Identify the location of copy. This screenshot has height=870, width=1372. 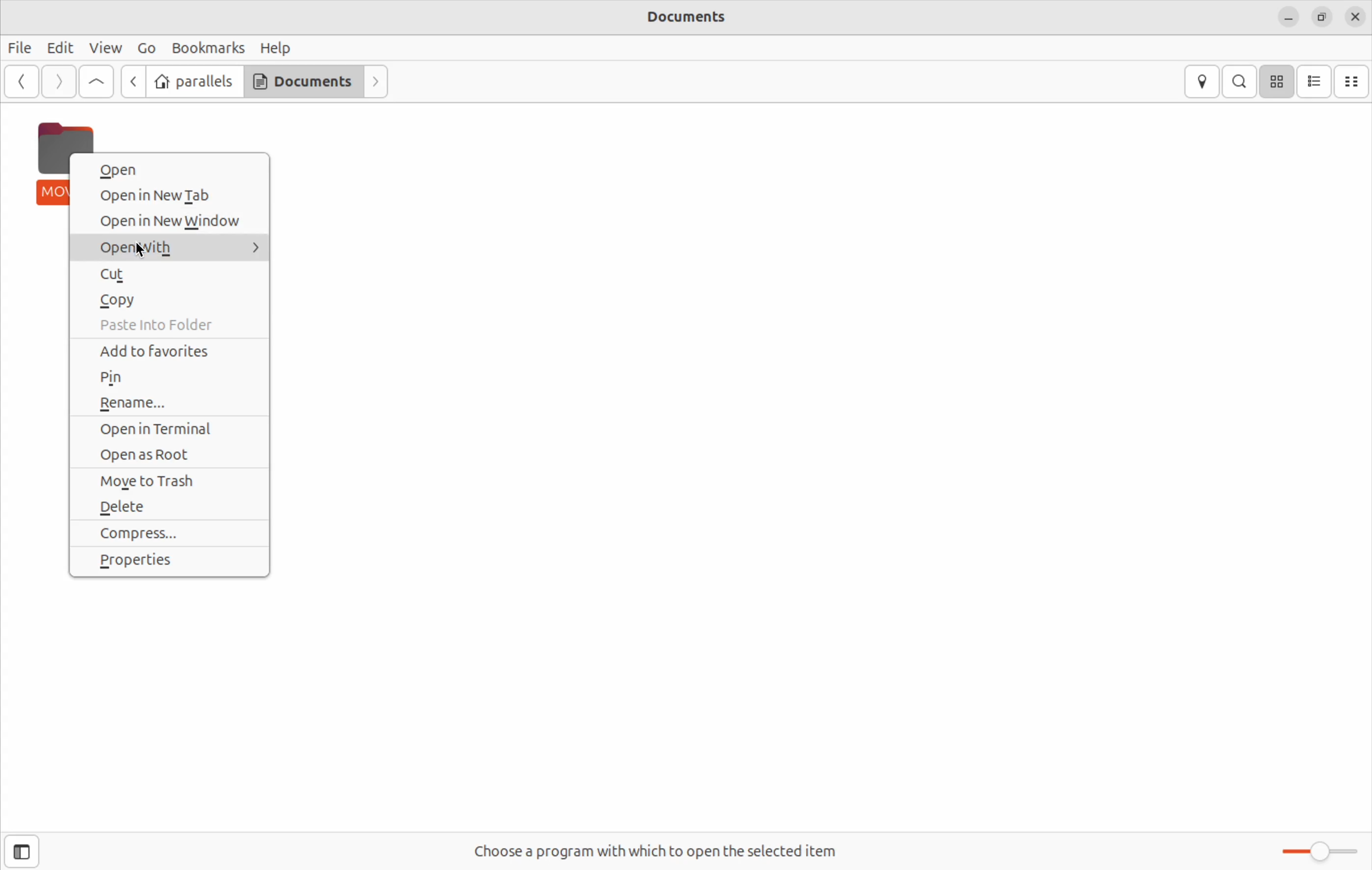
(171, 300).